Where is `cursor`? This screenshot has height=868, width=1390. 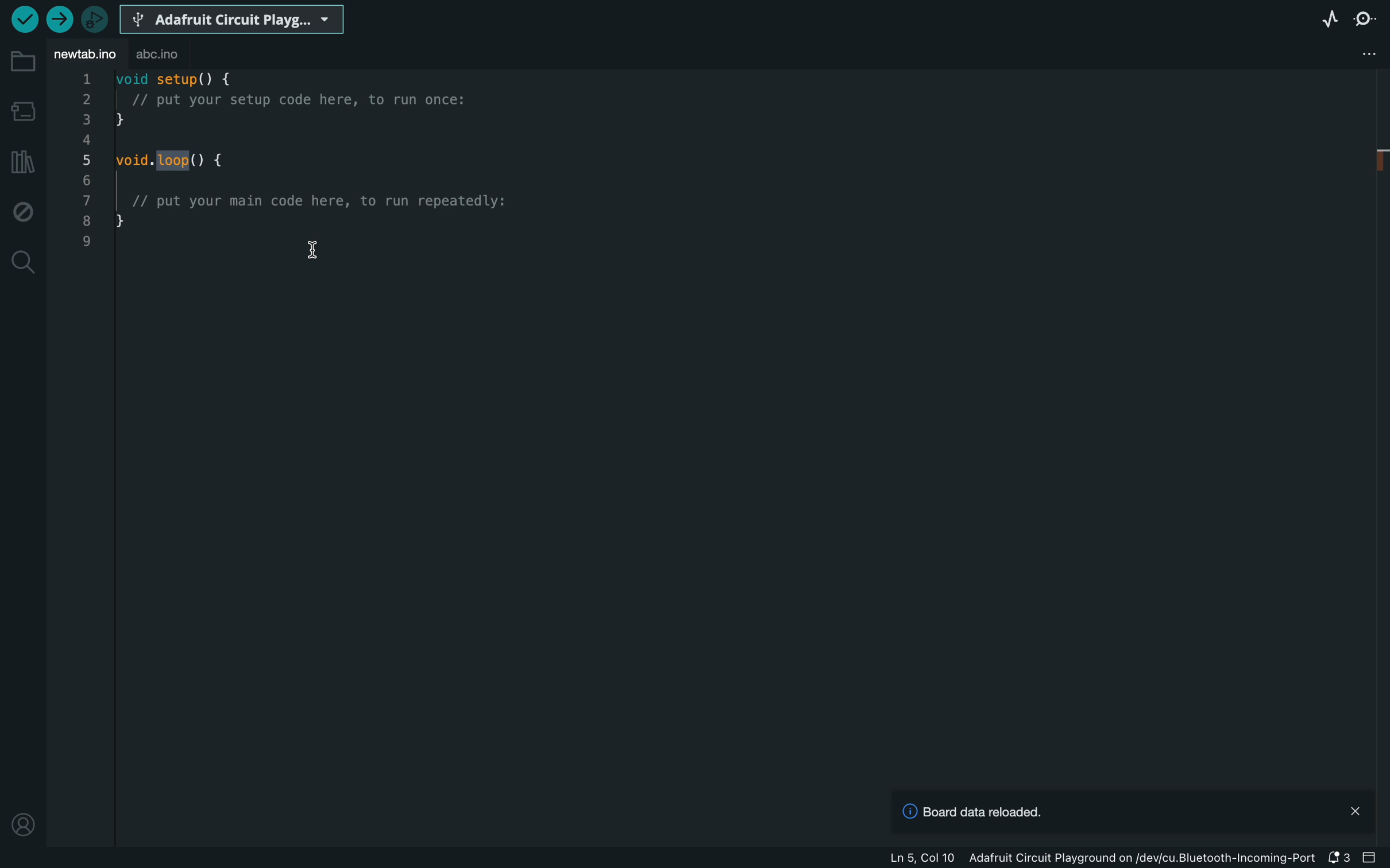 cursor is located at coordinates (313, 250).